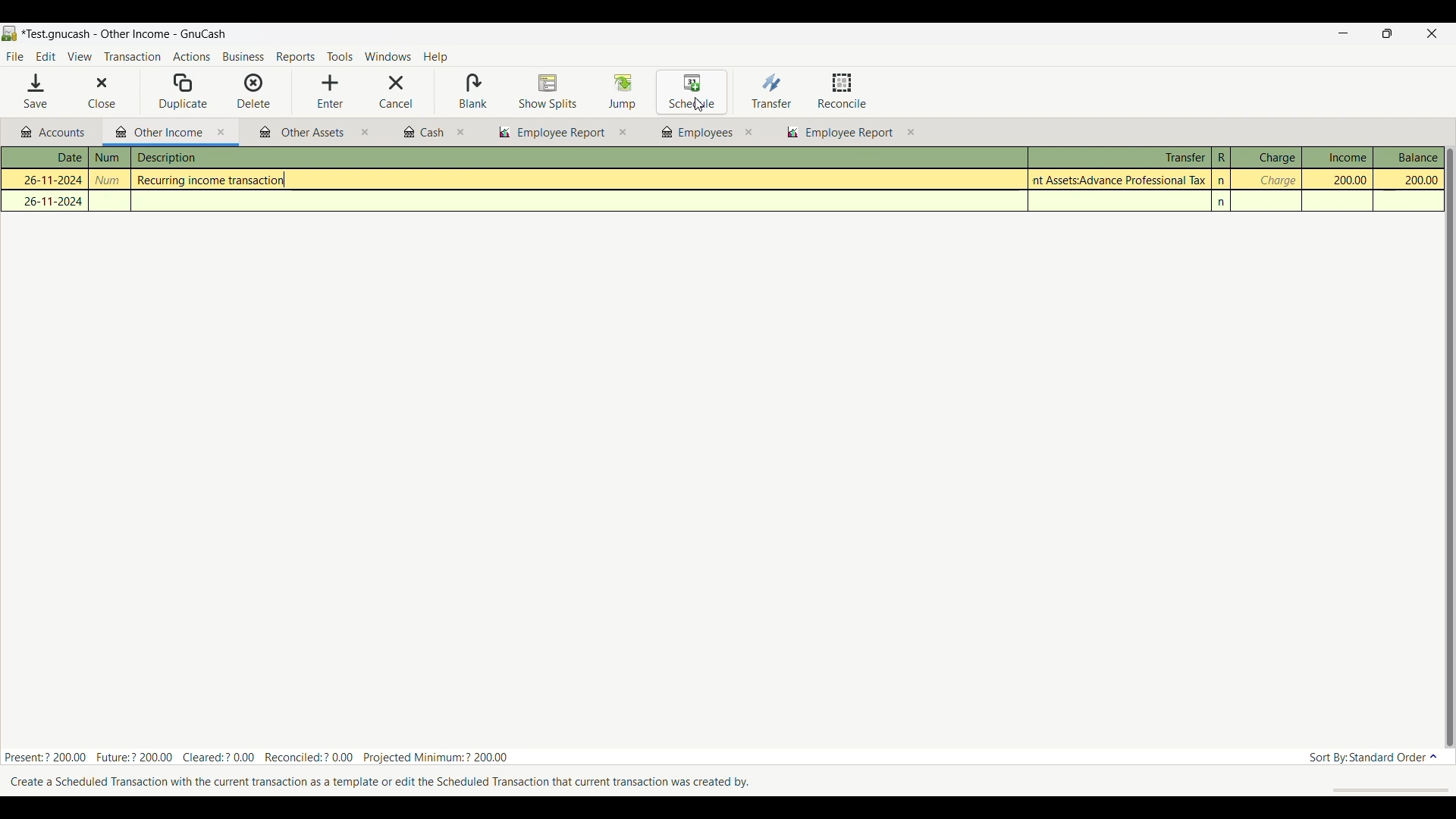 This screenshot has height=819, width=1456. I want to click on Help menu, so click(436, 58).